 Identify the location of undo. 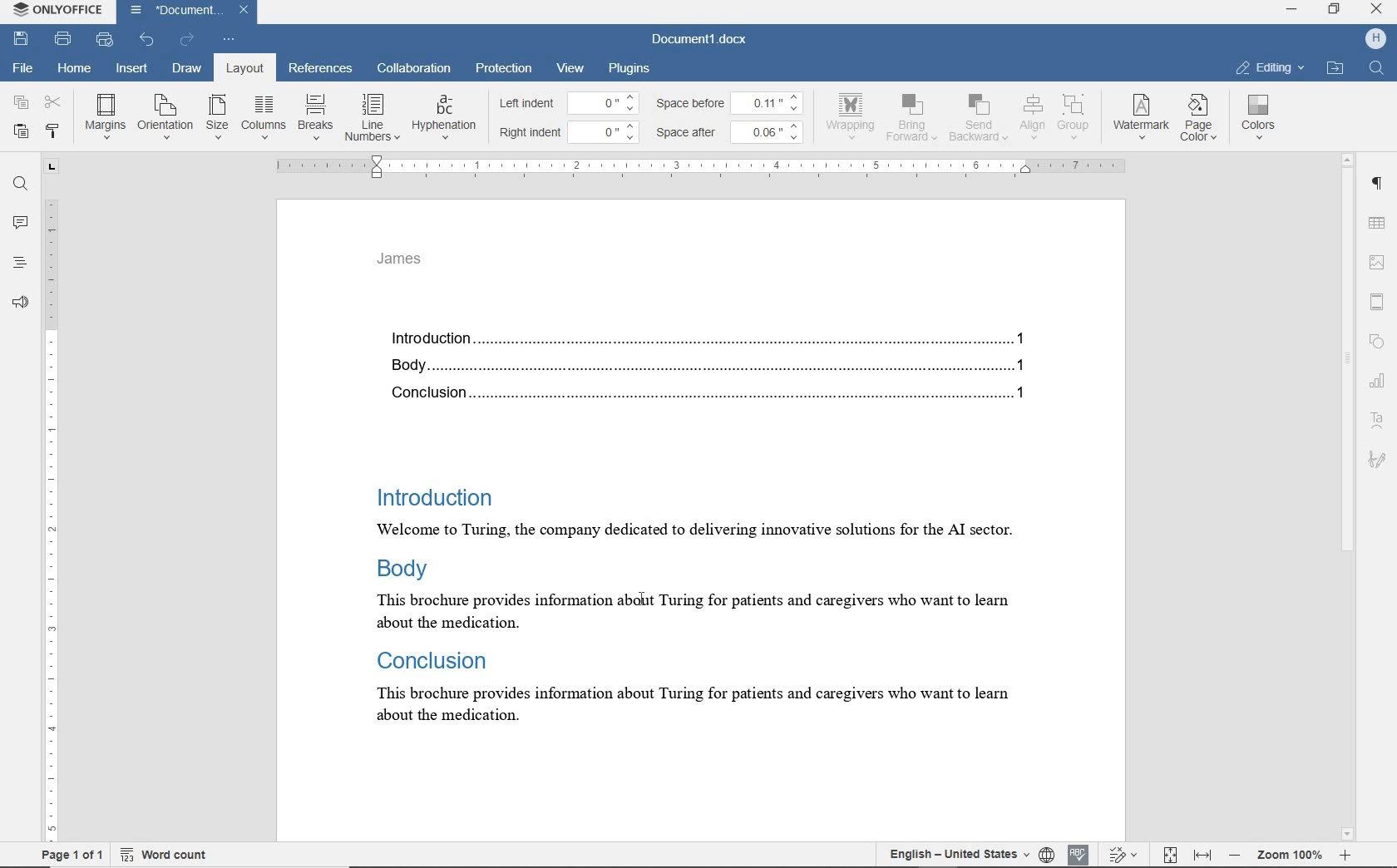
(146, 40).